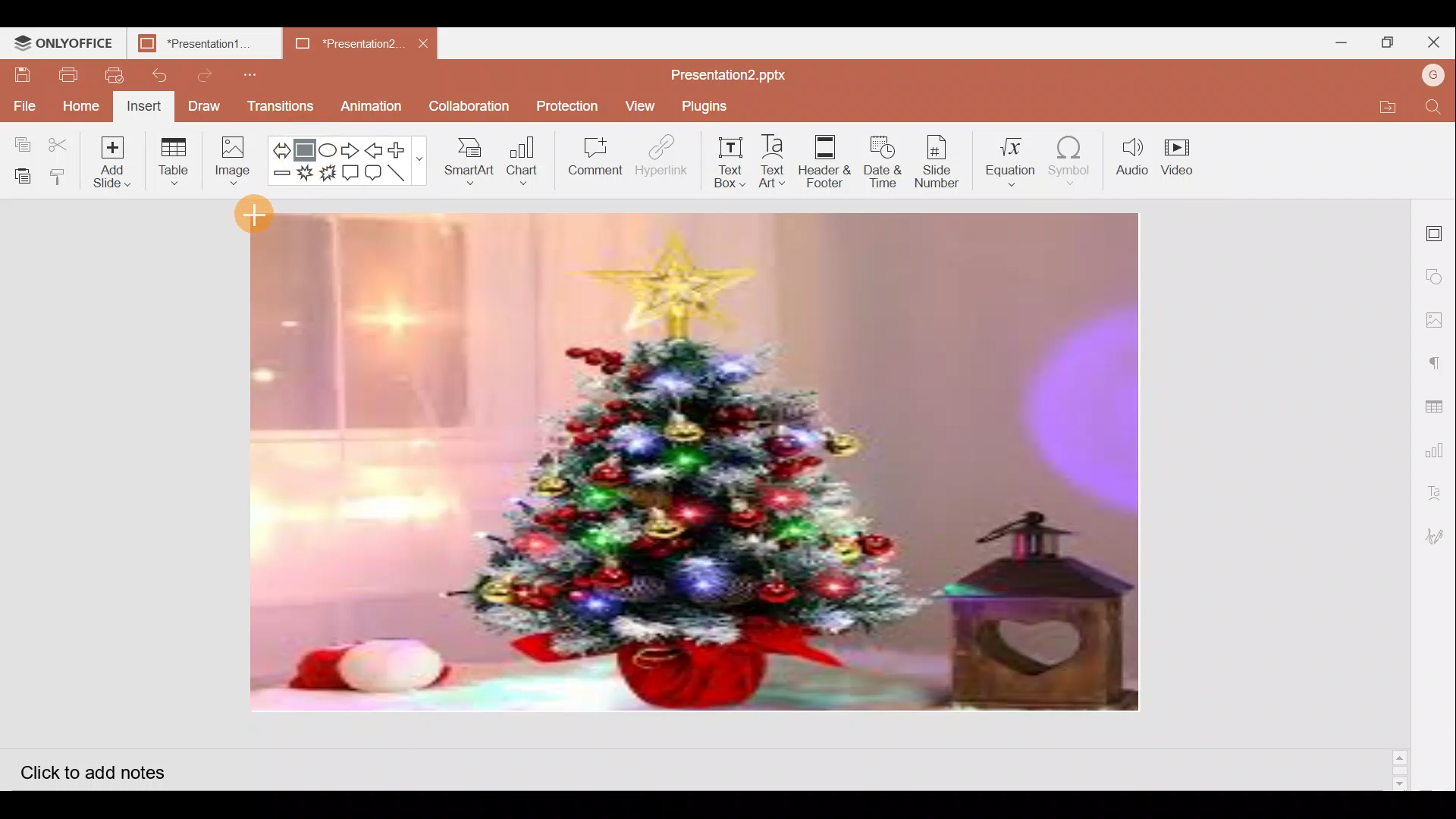 The width and height of the screenshot is (1456, 819). What do you see at coordinates (255, 212) in the screenshot?
I see `Cursor on image` at bounding box center [255, 212].